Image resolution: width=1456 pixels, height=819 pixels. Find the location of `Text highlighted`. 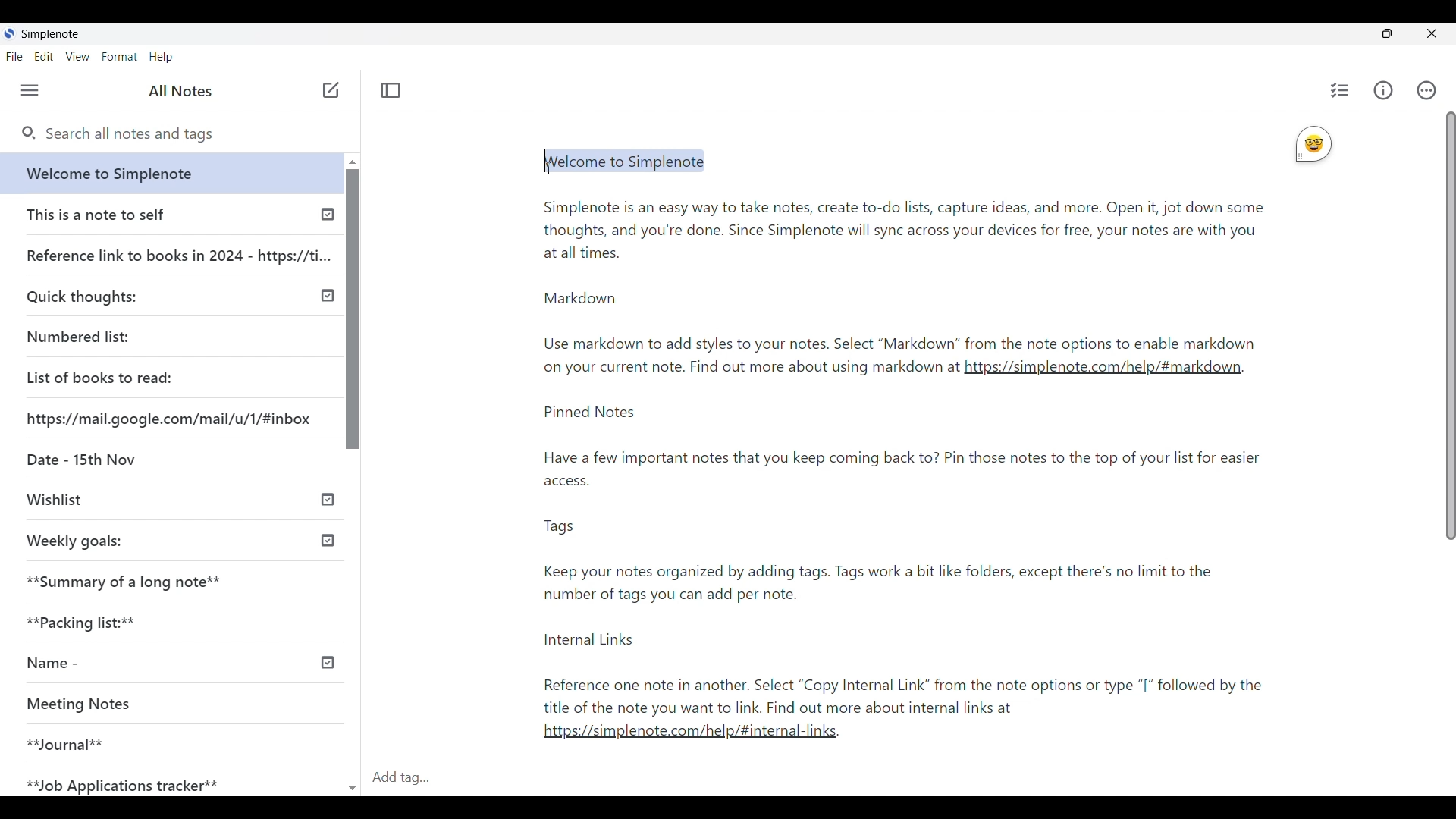

Text highlighted is located at coordinates (617, 161).